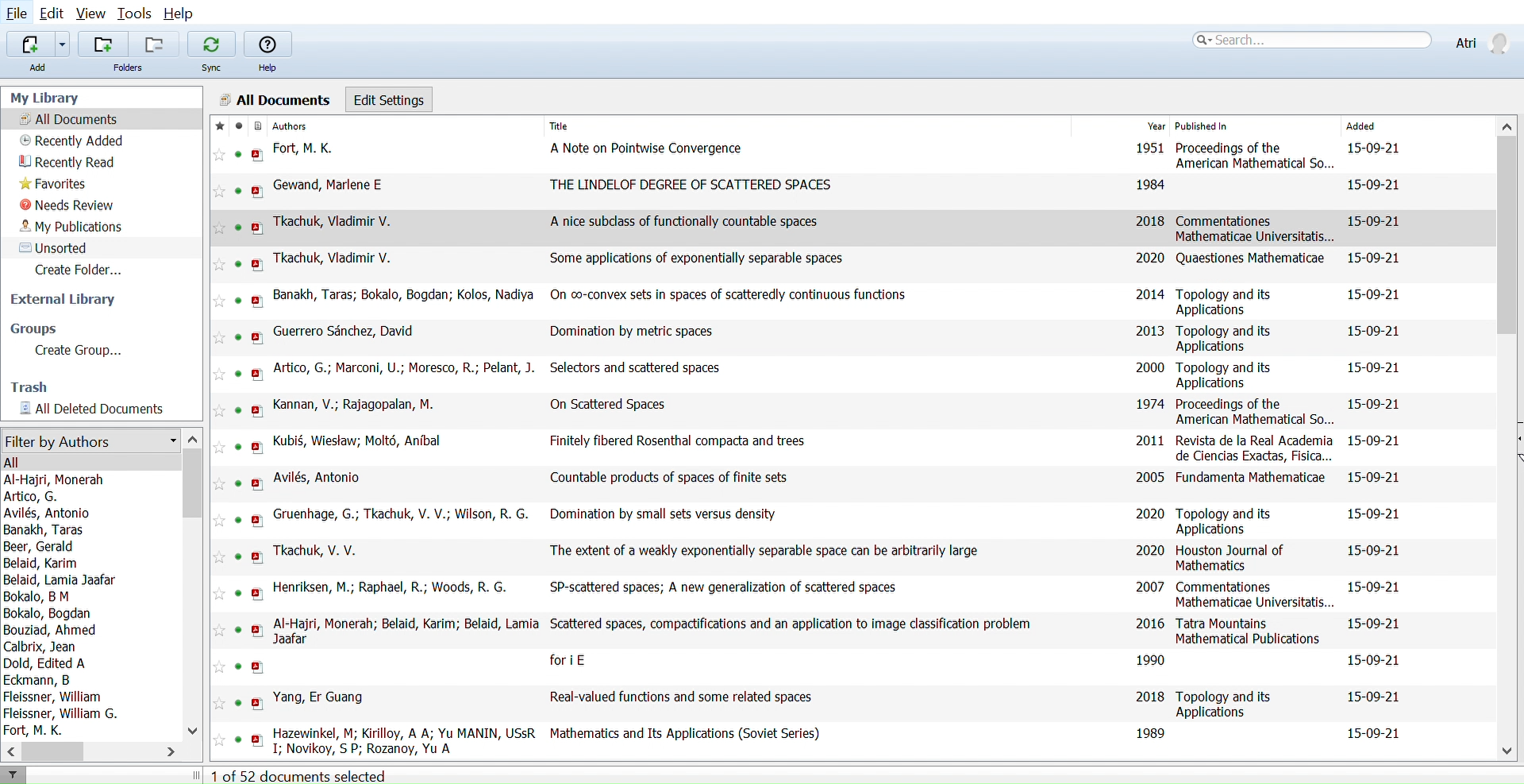  Describe the element at coordinates (221, 156) in the screenshot. I see `Add this reference to favorites` at that location.